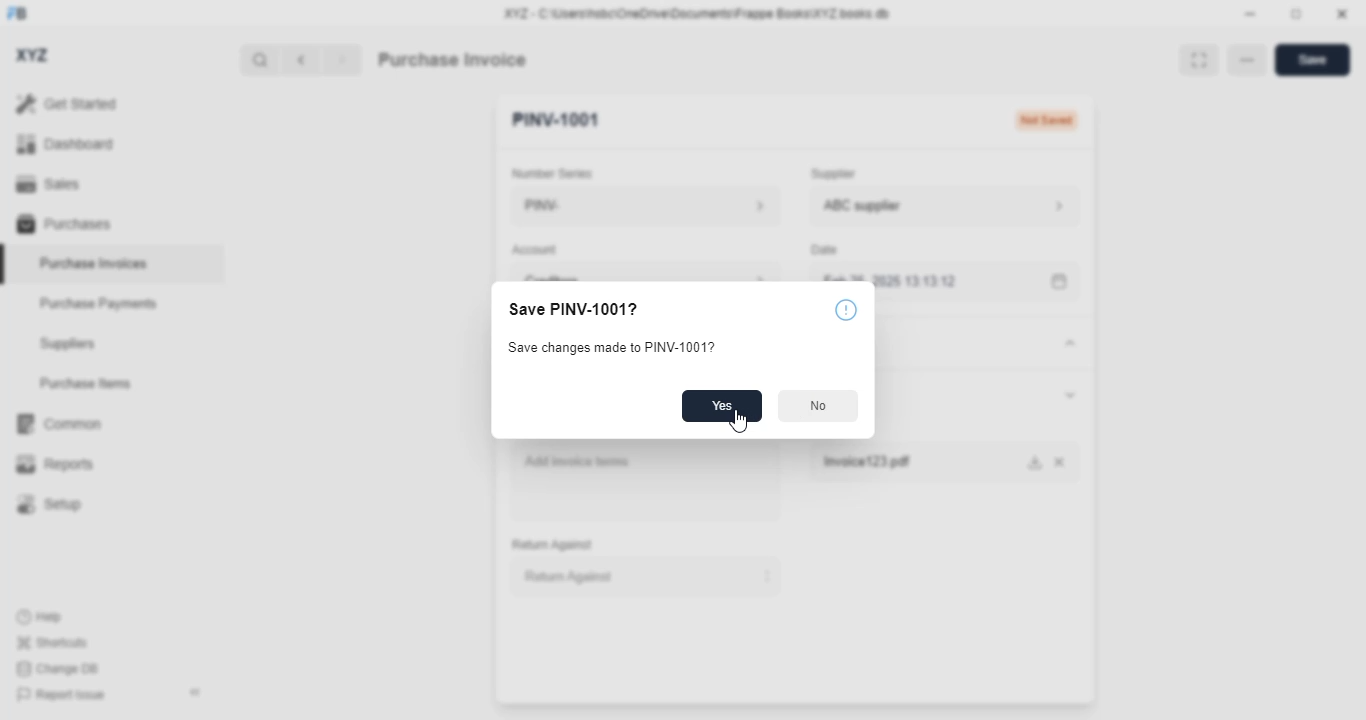 The width and height of the screenshot is (1366, 720). What do you see at coordinates (57, 424) in the screenshot?
I see `common` at bounding box center [57, 424].